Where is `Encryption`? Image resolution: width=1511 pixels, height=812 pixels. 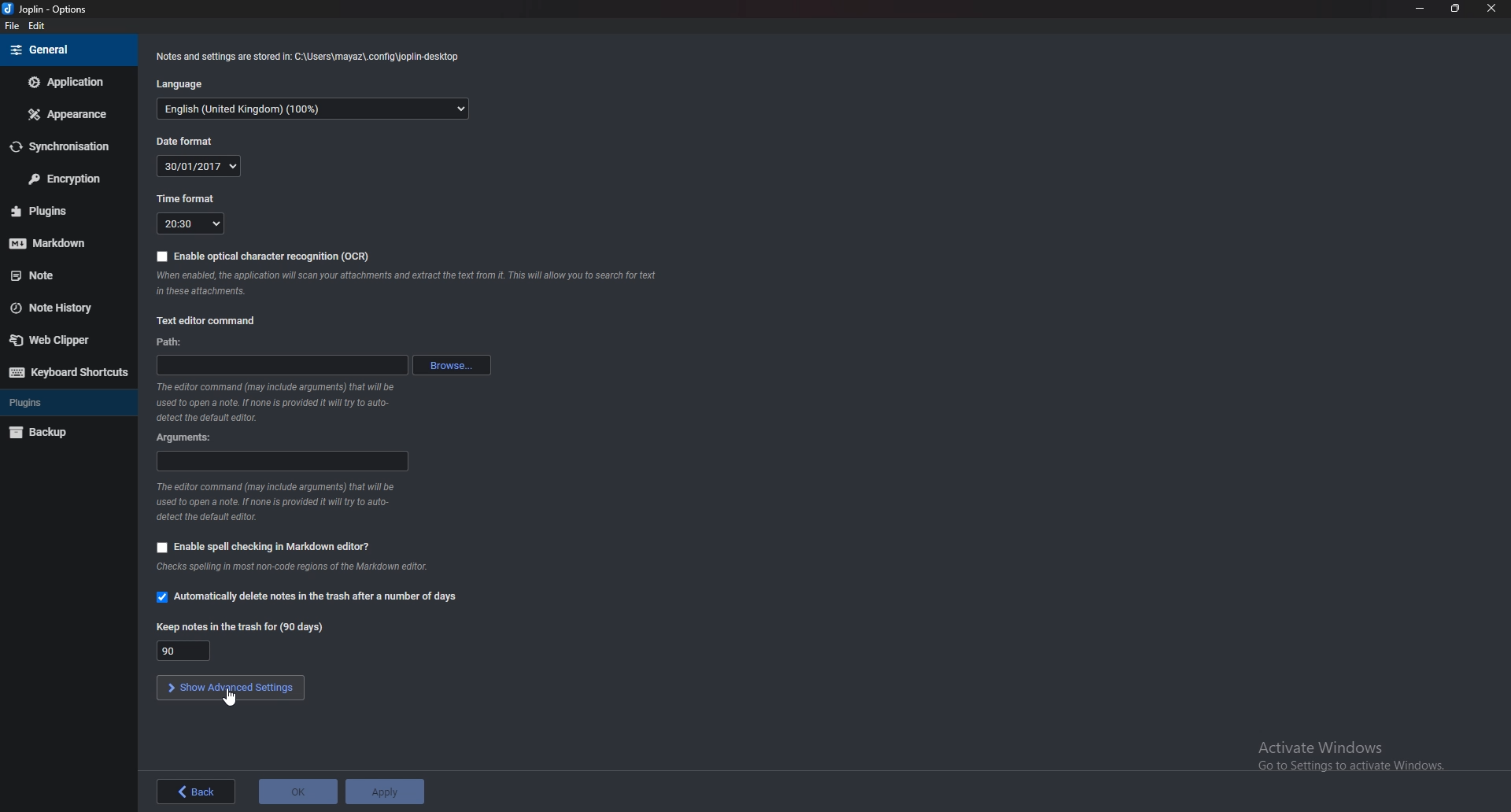
Encryption is located at coordinates (64, 179).